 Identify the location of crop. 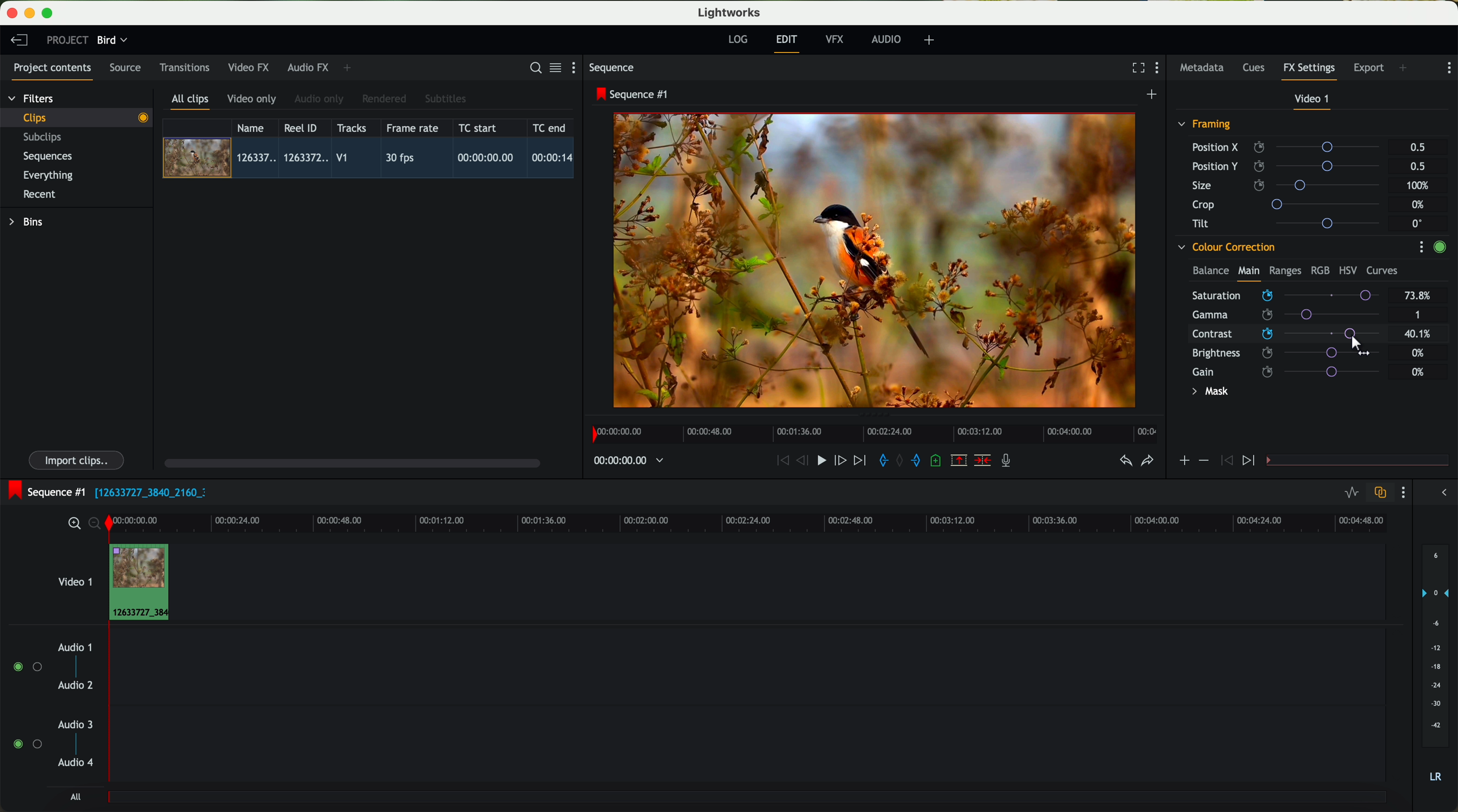
(1290, 204).